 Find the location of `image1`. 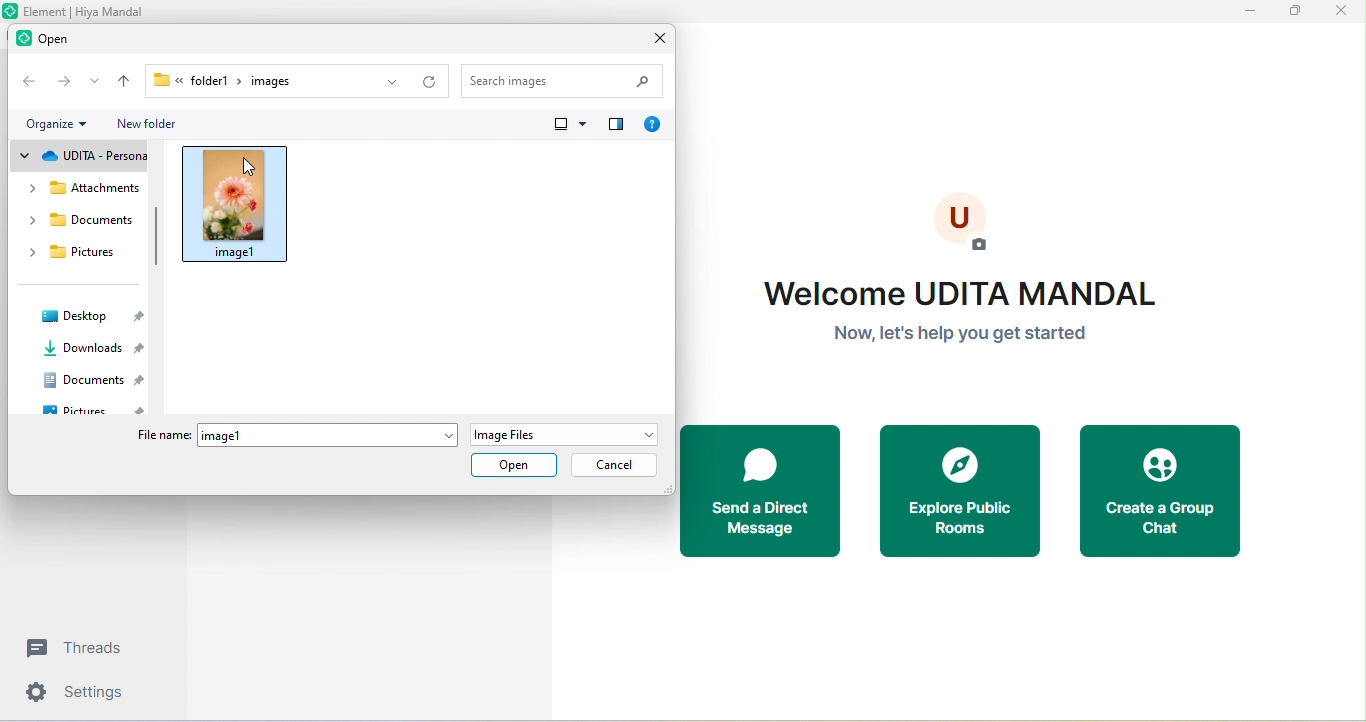

image1 is located at coordinates (247, 201).